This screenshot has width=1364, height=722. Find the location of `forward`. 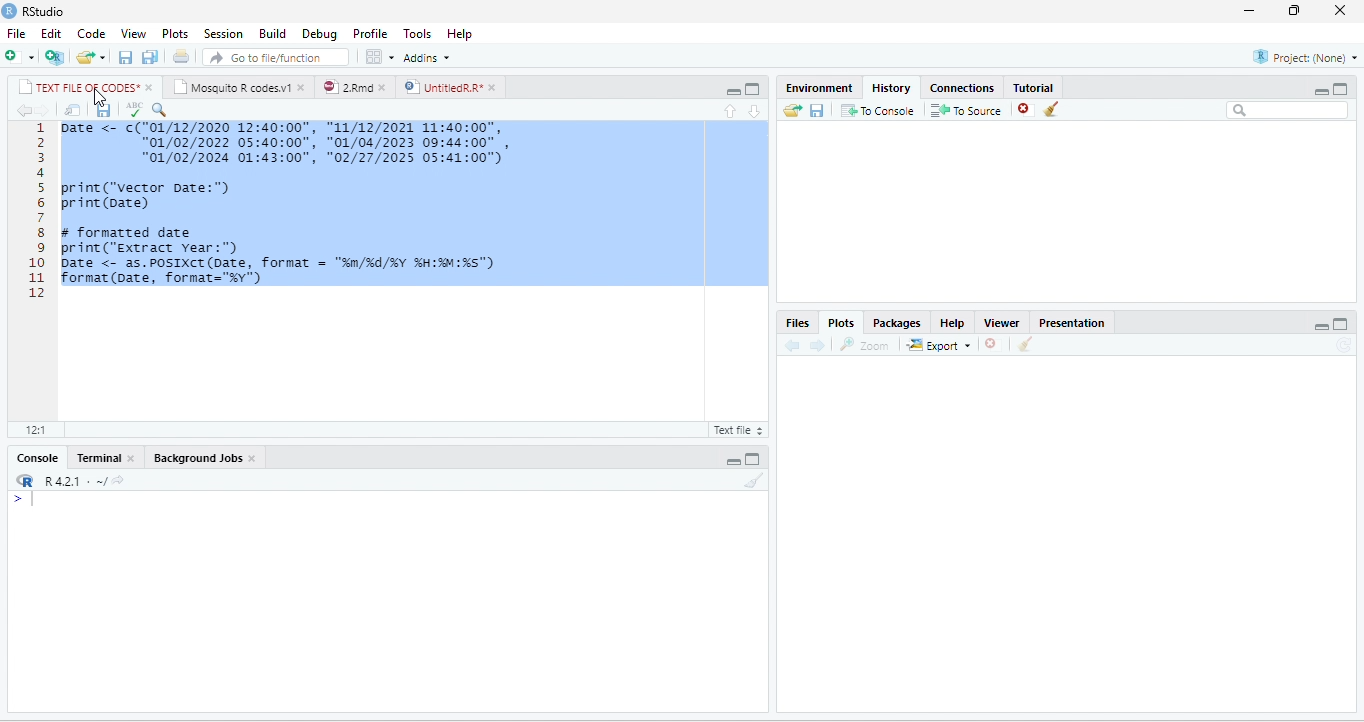

forward is located at coordinates (43, 110).